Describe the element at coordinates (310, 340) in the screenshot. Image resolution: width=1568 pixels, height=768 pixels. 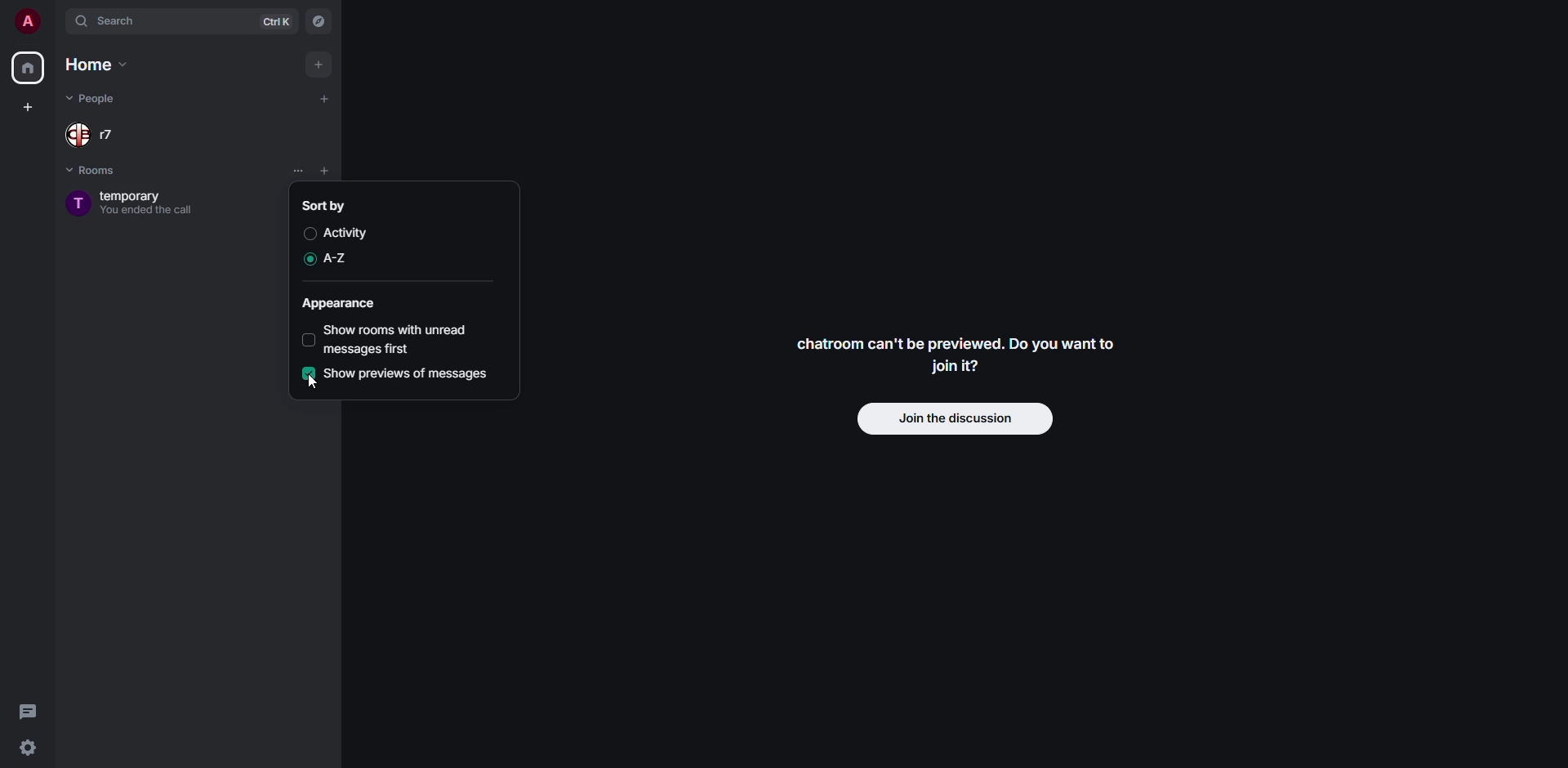
I see `disabled` at that location.